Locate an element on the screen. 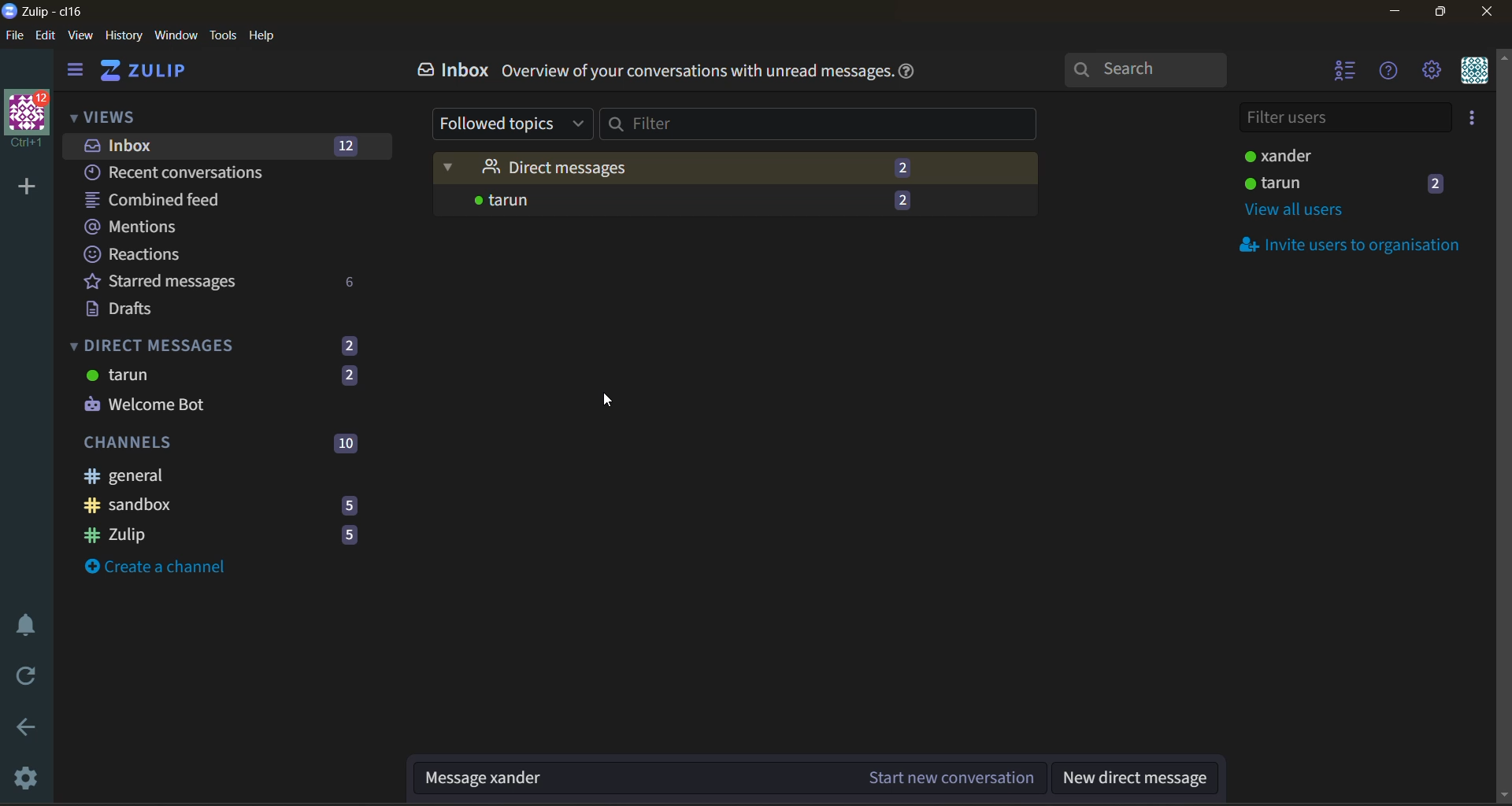 This screenshot has width=1512, height=806. show left side bar is located at coordinates (72, 72).